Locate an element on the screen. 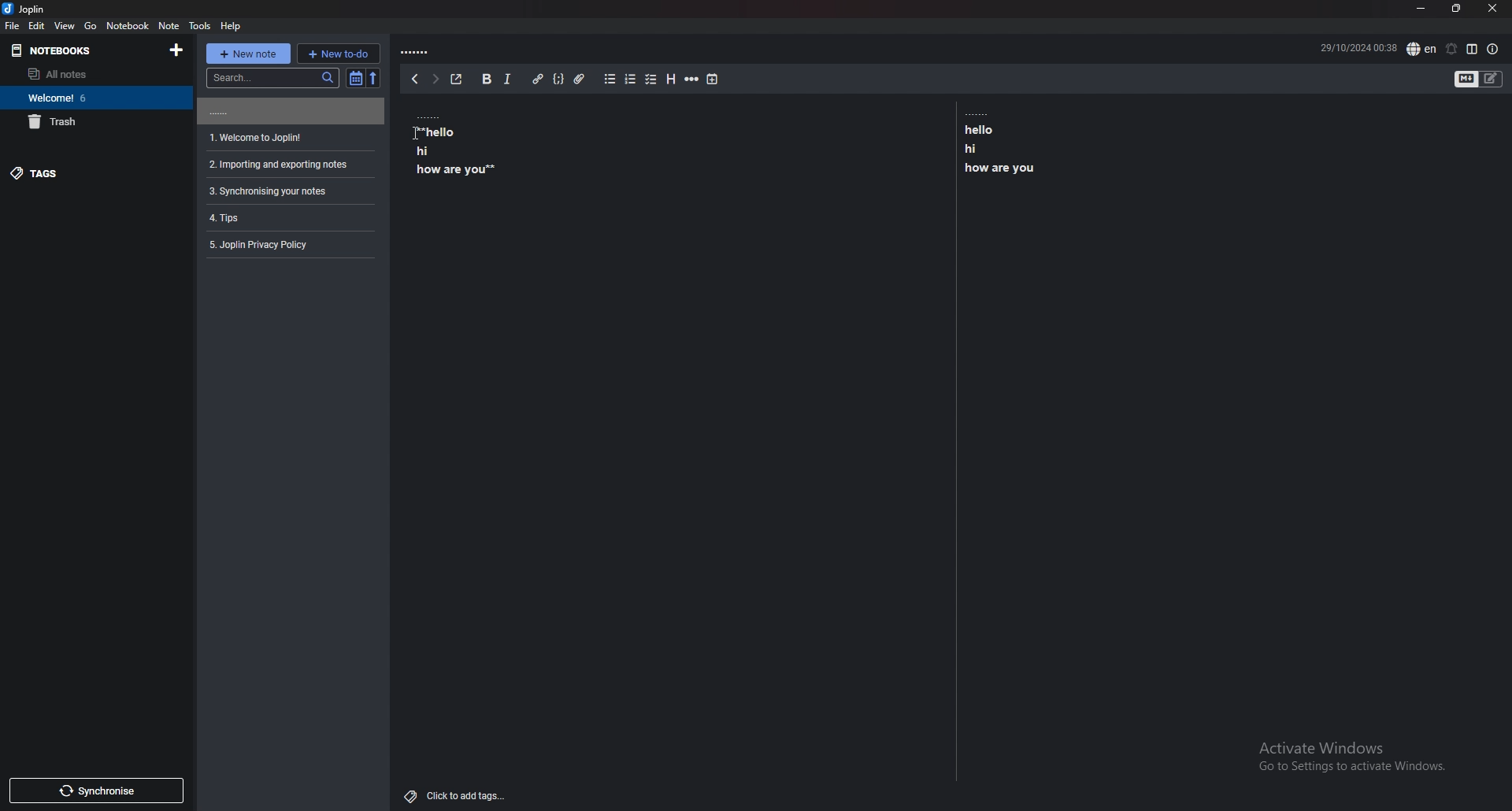  tools is located at coordinates (201, 26).